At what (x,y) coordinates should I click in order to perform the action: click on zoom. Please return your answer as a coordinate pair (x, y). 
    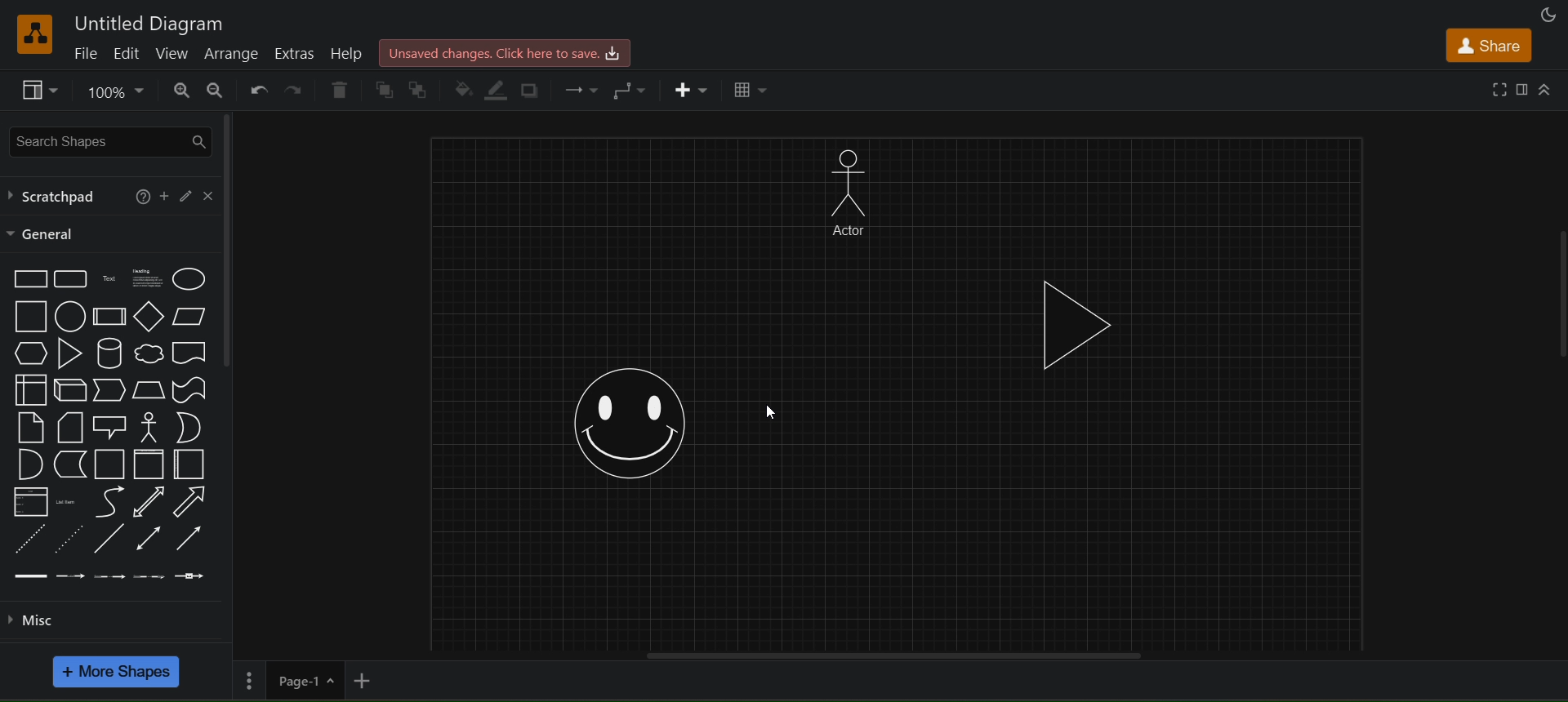
    Looking at the image, I should click on (111, 91).